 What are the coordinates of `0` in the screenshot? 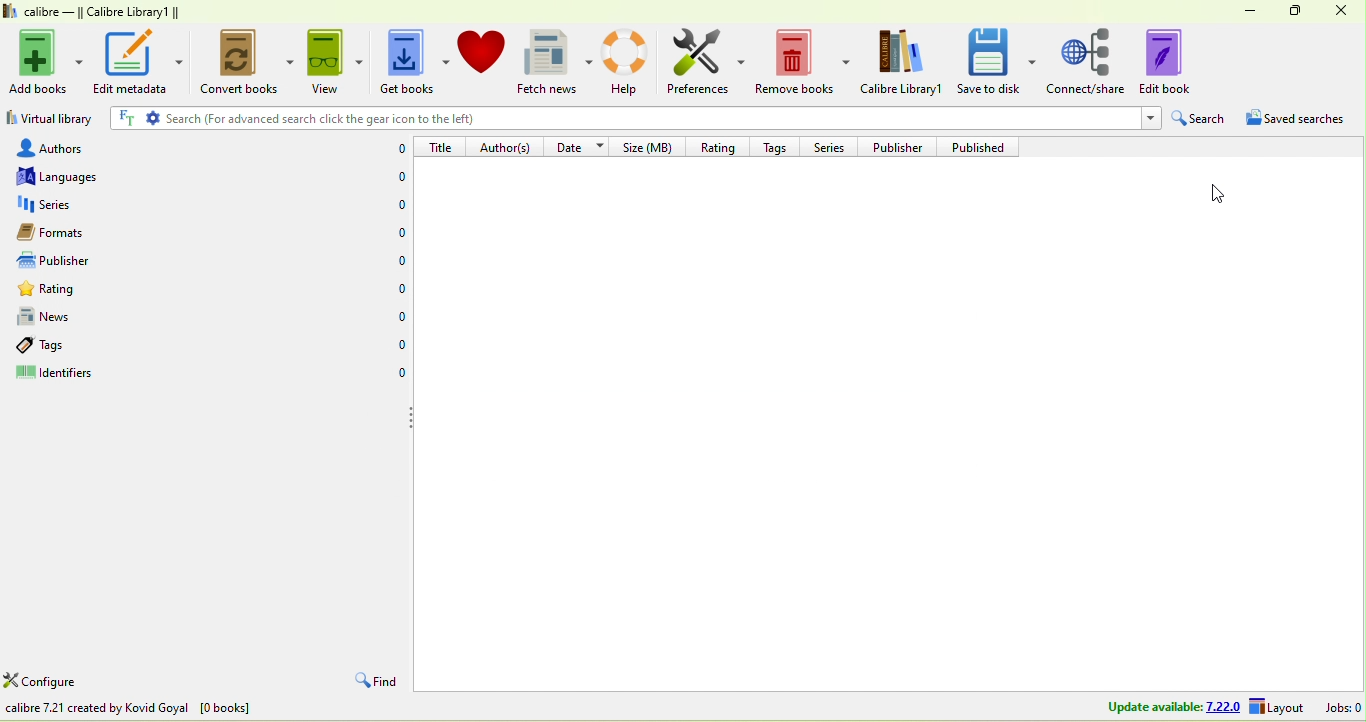 It's located at (396, 346).